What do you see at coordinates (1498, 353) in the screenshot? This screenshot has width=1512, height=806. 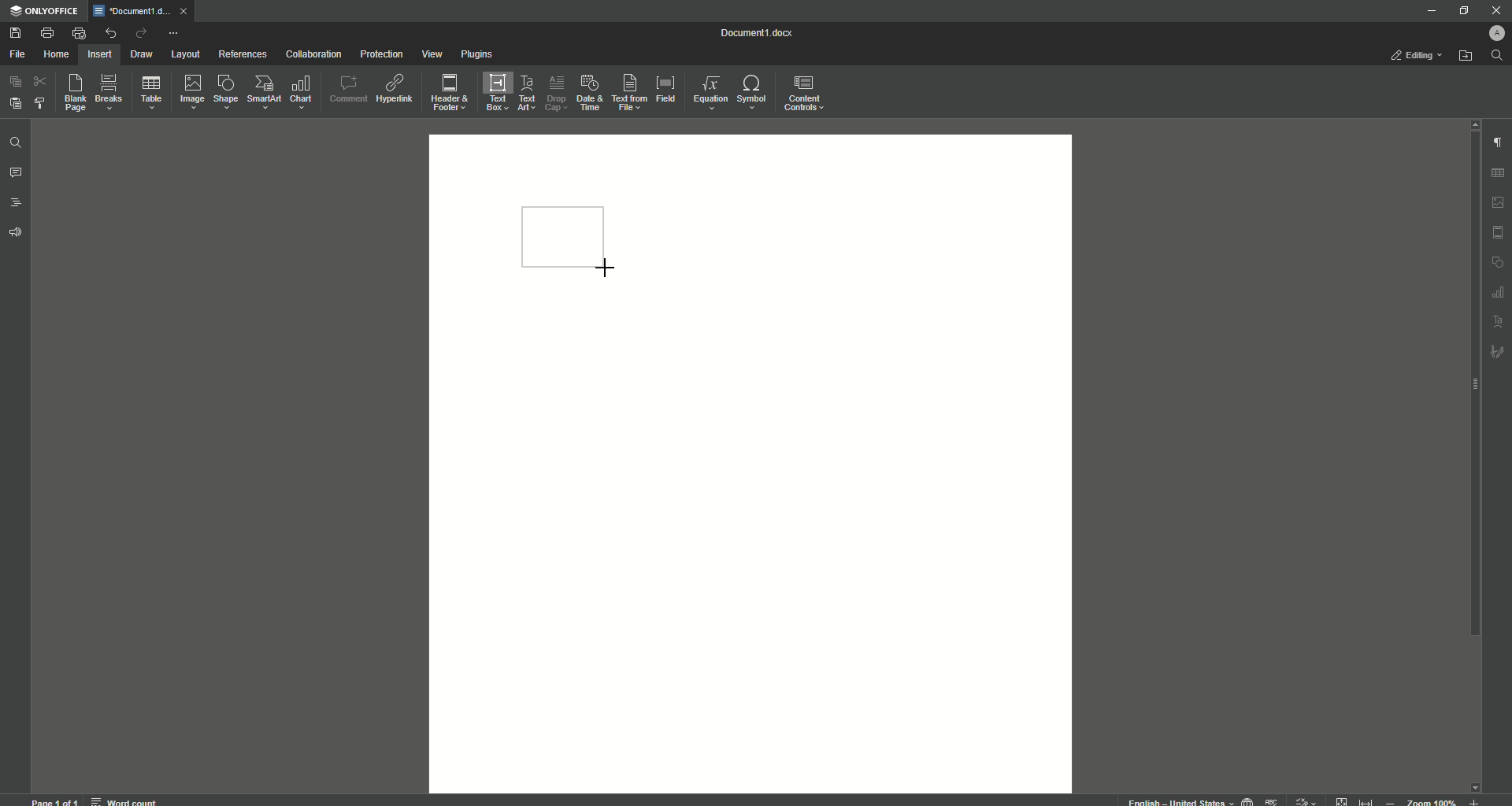 I see `signature` at bounding box center [1498, 353].